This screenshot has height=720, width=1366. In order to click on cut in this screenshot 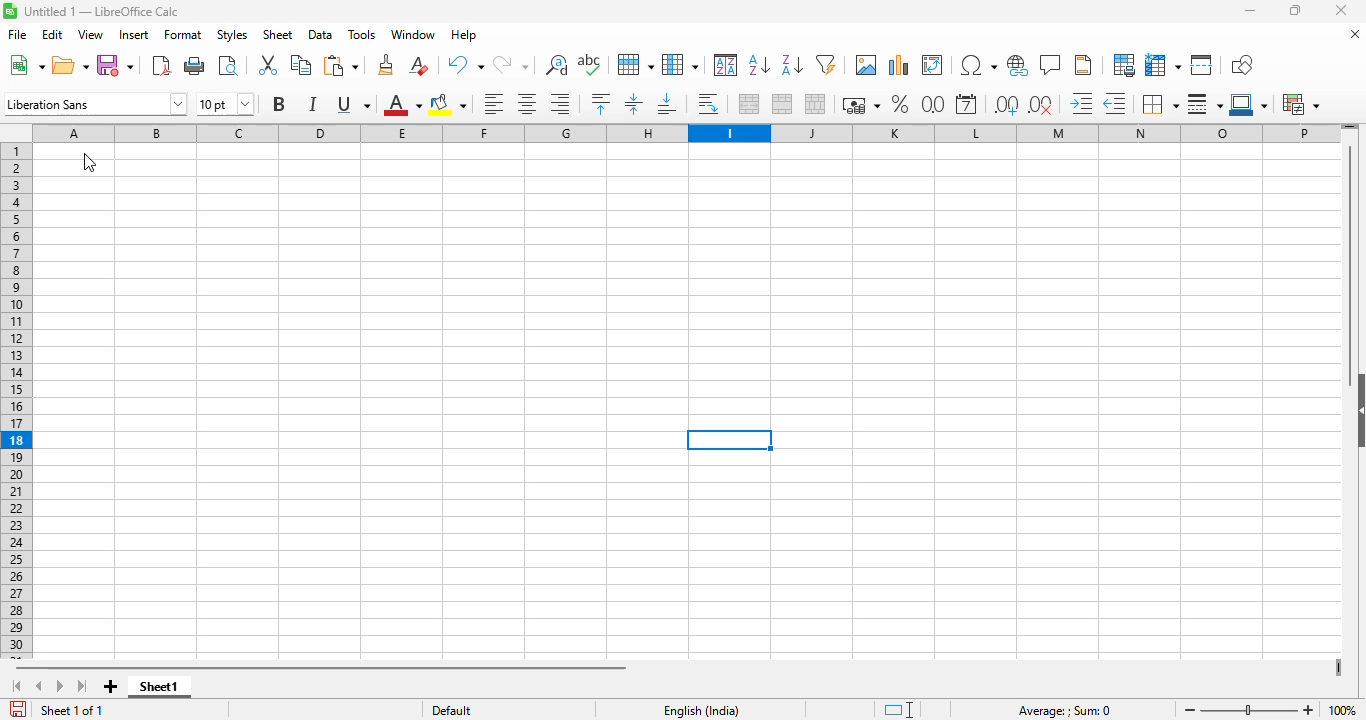, I will do `click(267, 65)`.